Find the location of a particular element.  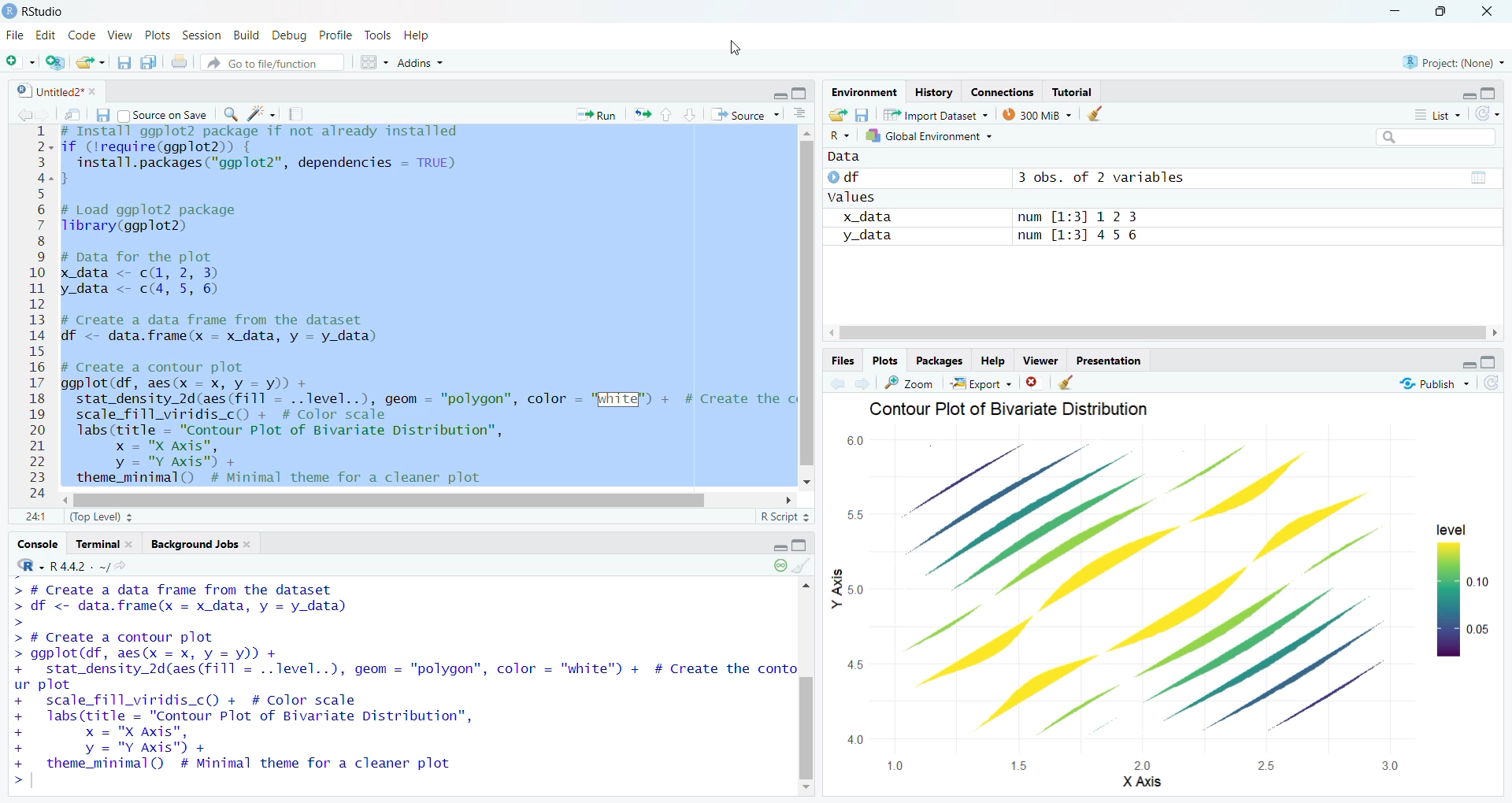

horizontal scroll bar is located at coordinates (1162, 332).